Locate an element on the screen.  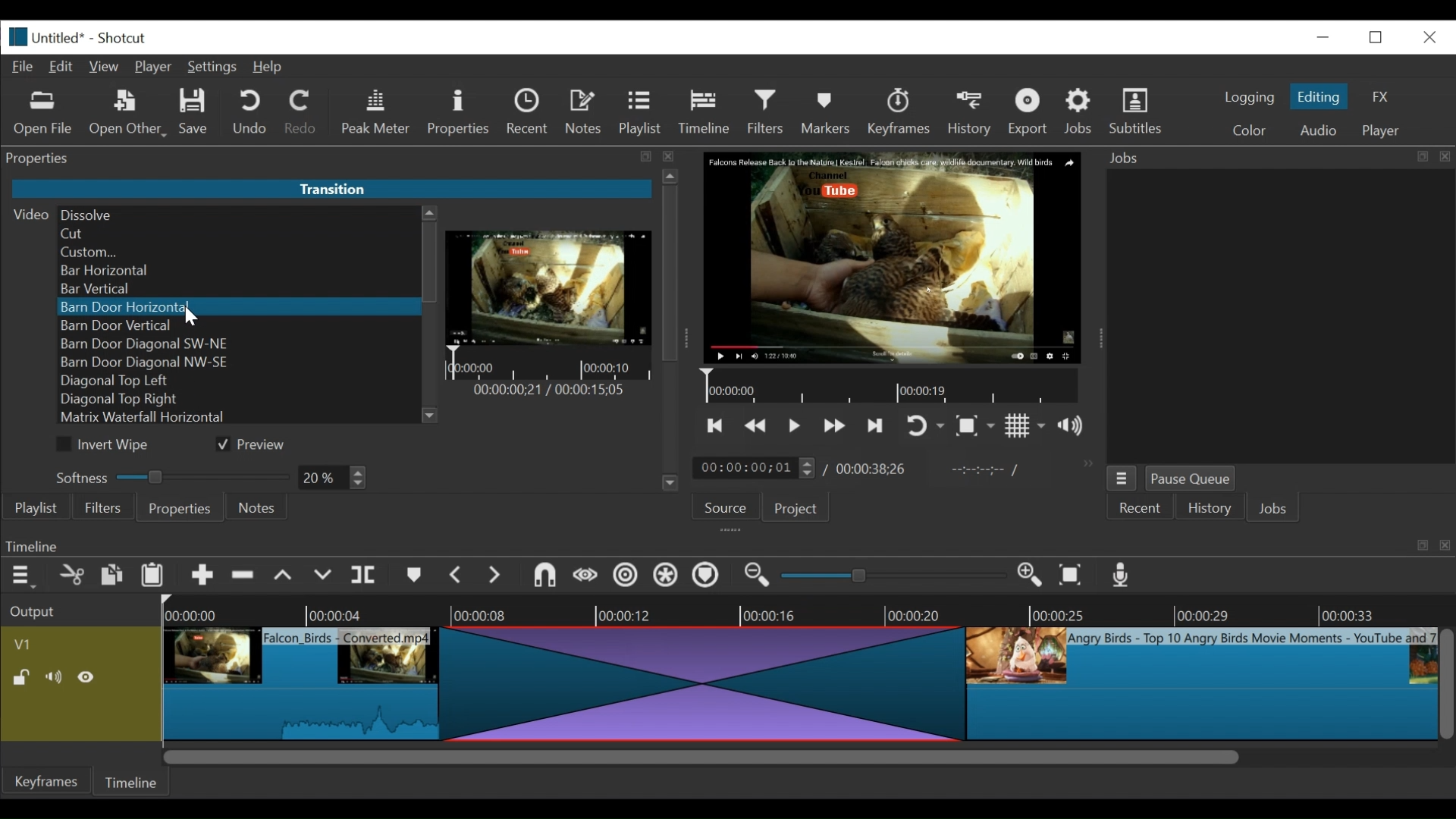
color is located at coordinates (1248, 132).